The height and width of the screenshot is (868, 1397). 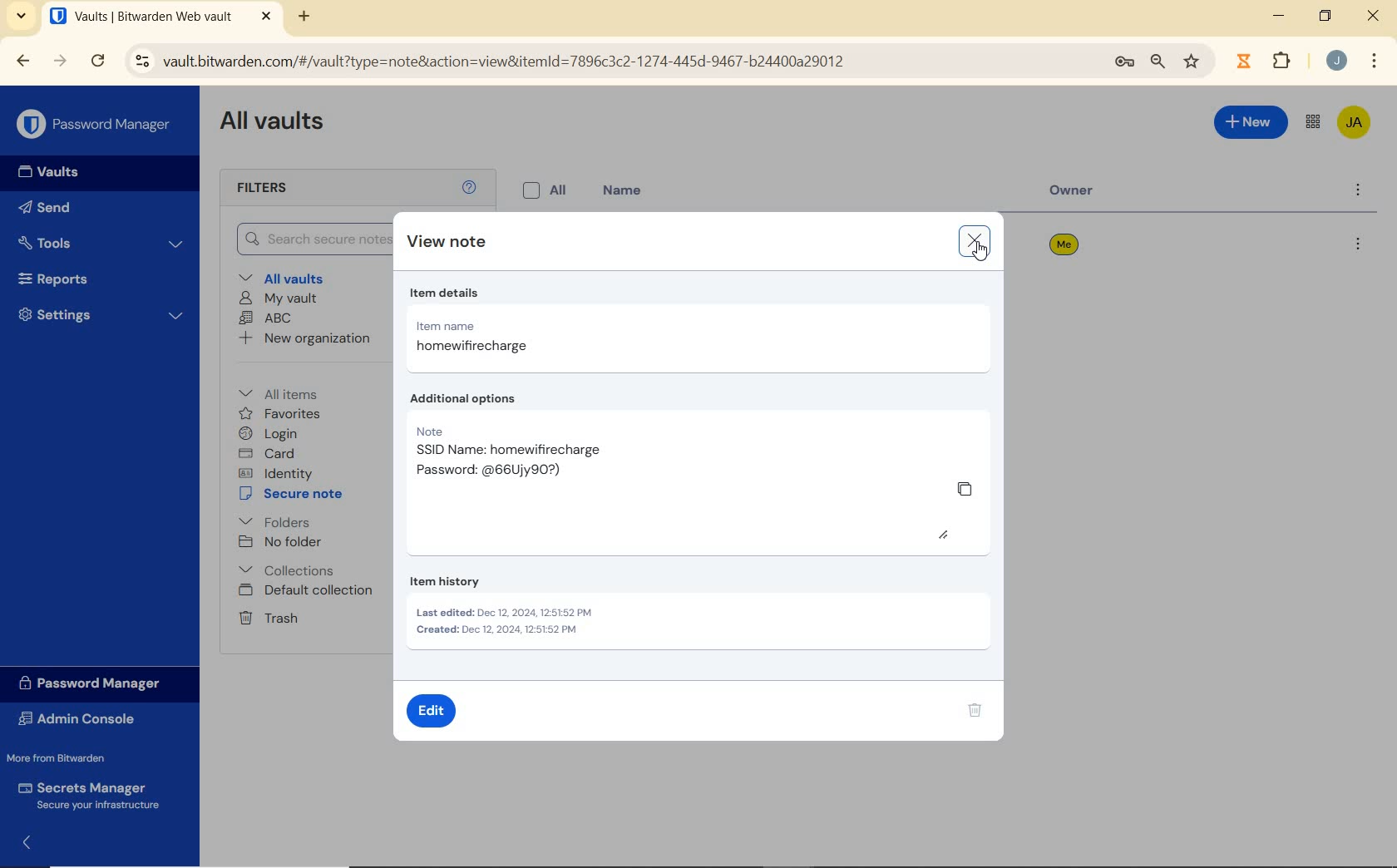 I want to click on Password Manager, so click(x=97, y=684).